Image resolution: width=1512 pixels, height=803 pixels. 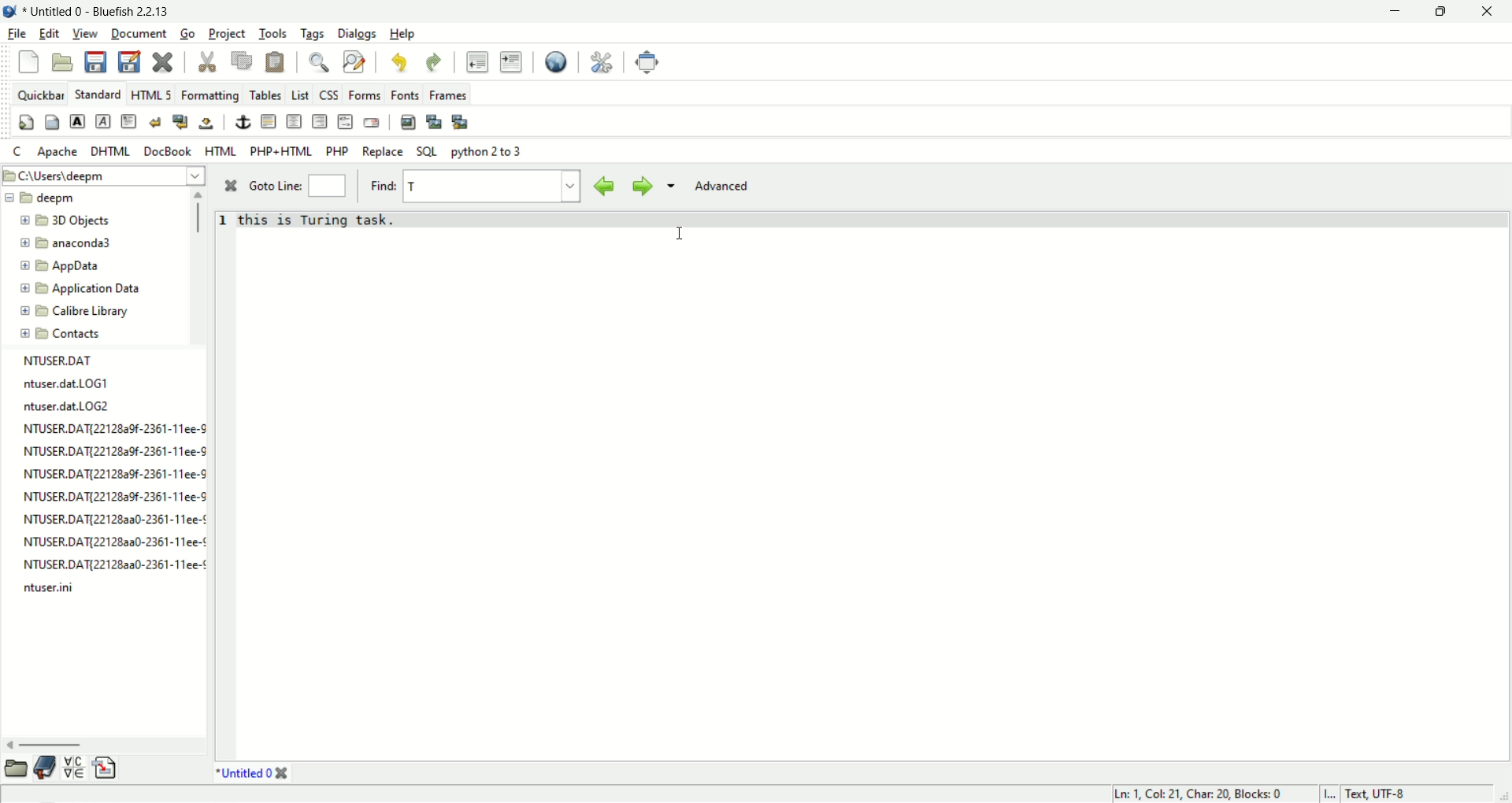 What do you see at coordinates (58, 151) in the screenshot?
I see `apache` at bounding box center [58, 151].